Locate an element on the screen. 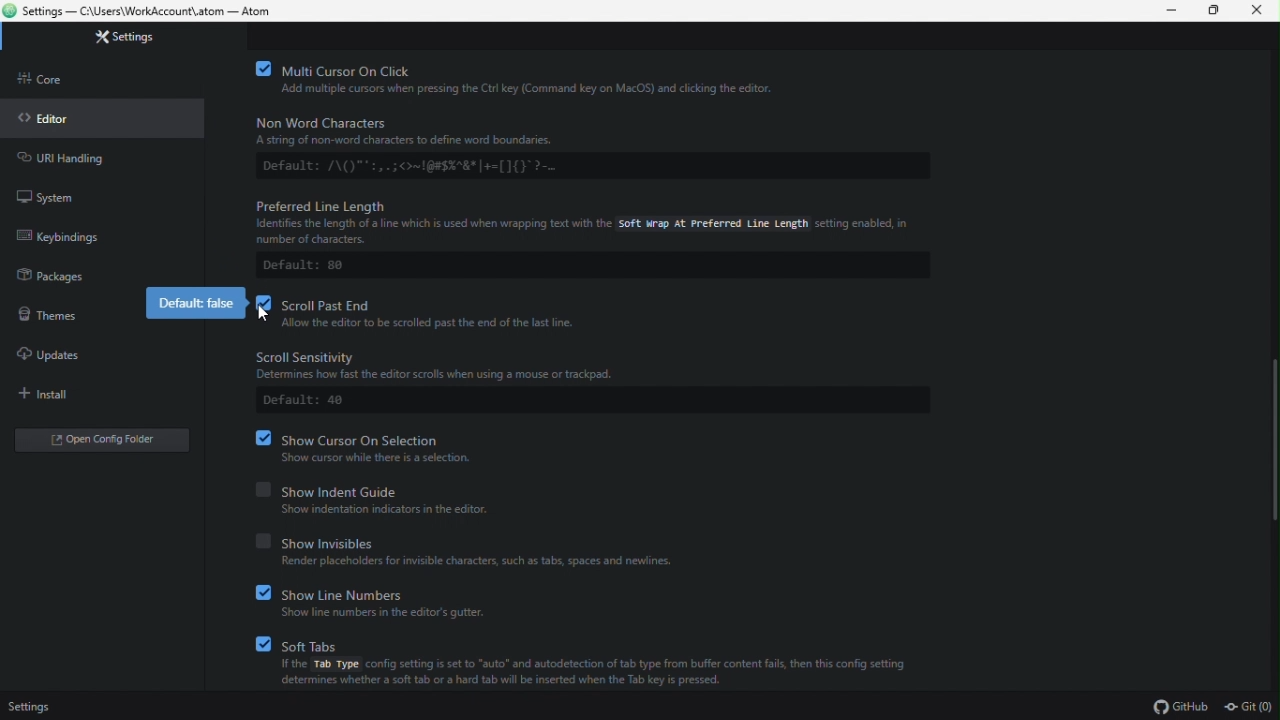 The height and width of the screenshot is (720, 1280). URL handling is located at coordinates (83, 159).